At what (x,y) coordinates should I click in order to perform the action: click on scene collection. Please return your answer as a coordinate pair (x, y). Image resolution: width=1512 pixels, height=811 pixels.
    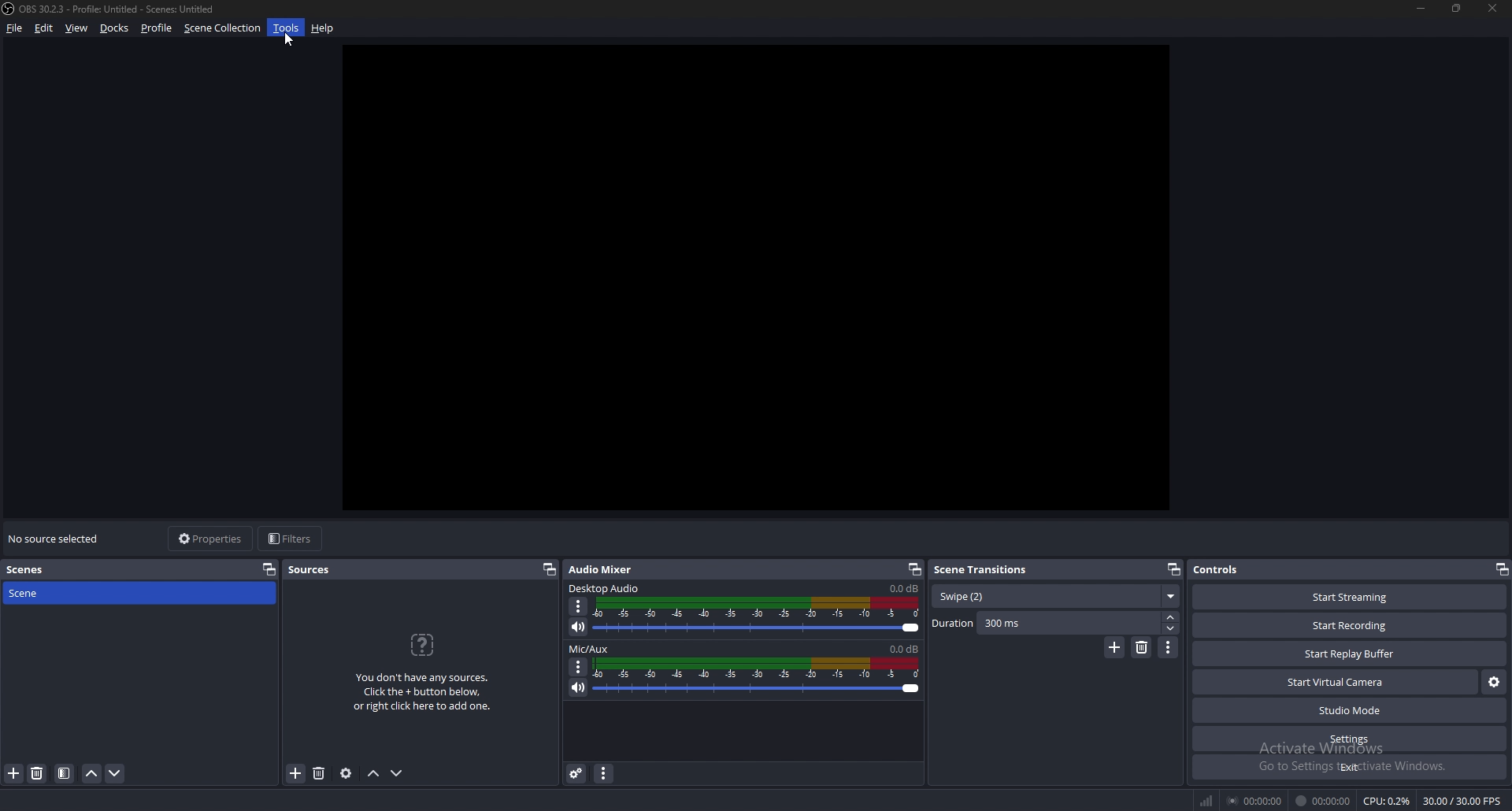
    Looking at the image, I should click on (224, 27).